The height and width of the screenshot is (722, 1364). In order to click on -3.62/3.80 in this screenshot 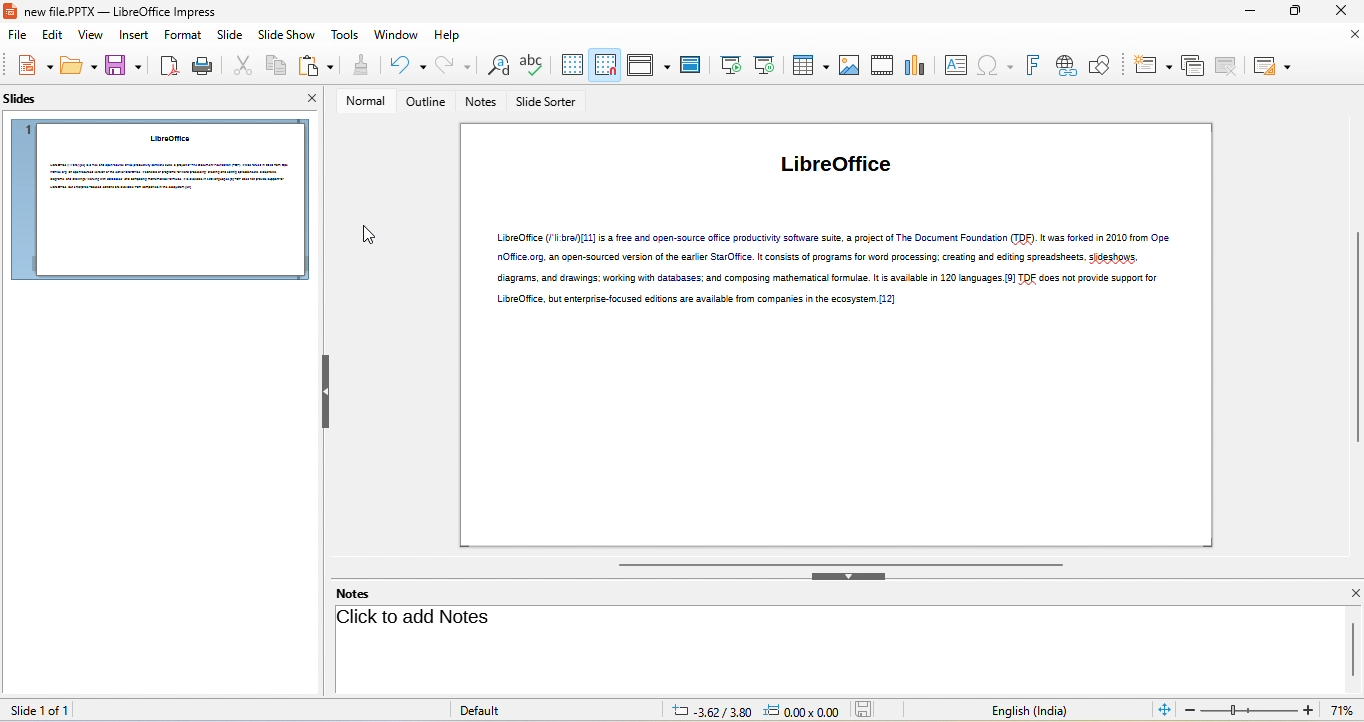, I will do `click(706, 710)`.